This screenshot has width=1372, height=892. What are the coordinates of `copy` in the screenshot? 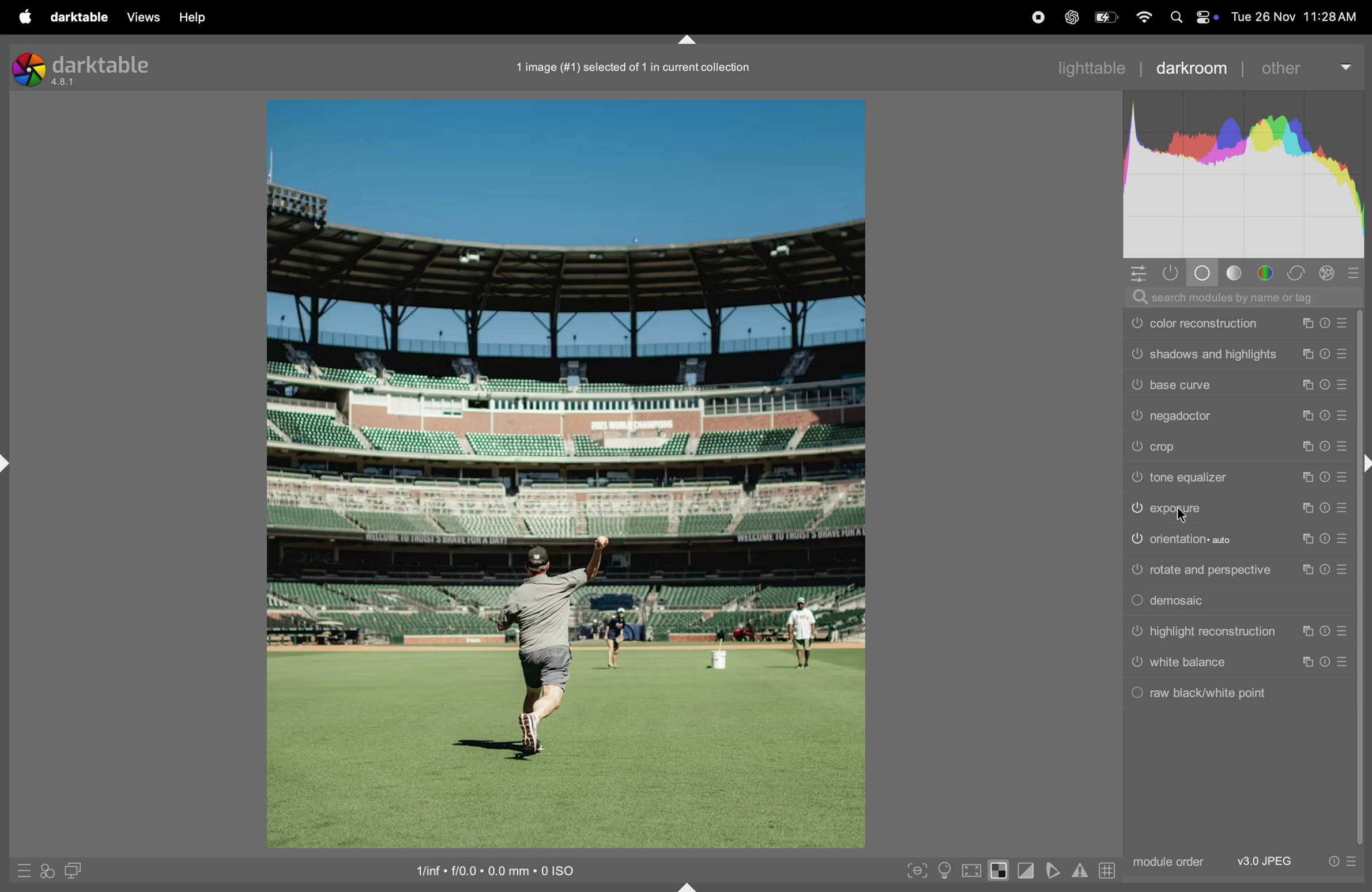 It's located at (1306, 662).